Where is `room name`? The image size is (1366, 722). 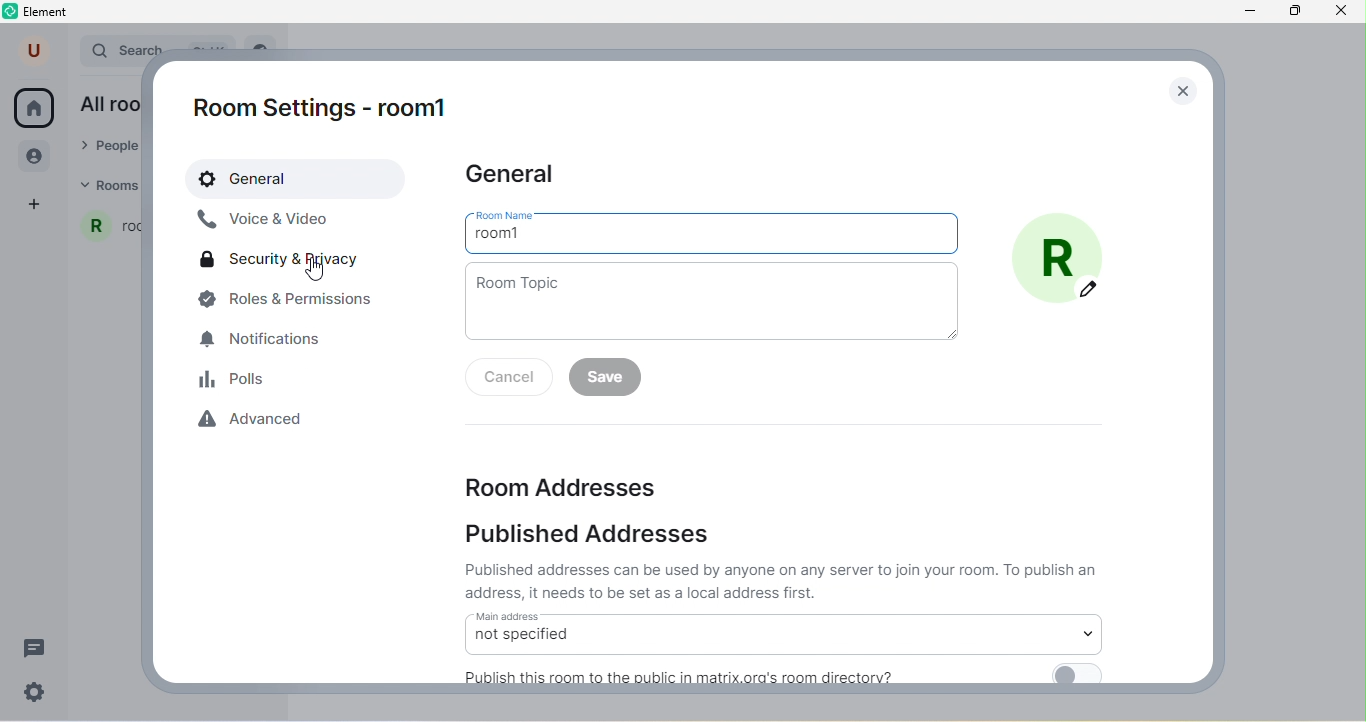
room name is located at coordinates (715, 231).